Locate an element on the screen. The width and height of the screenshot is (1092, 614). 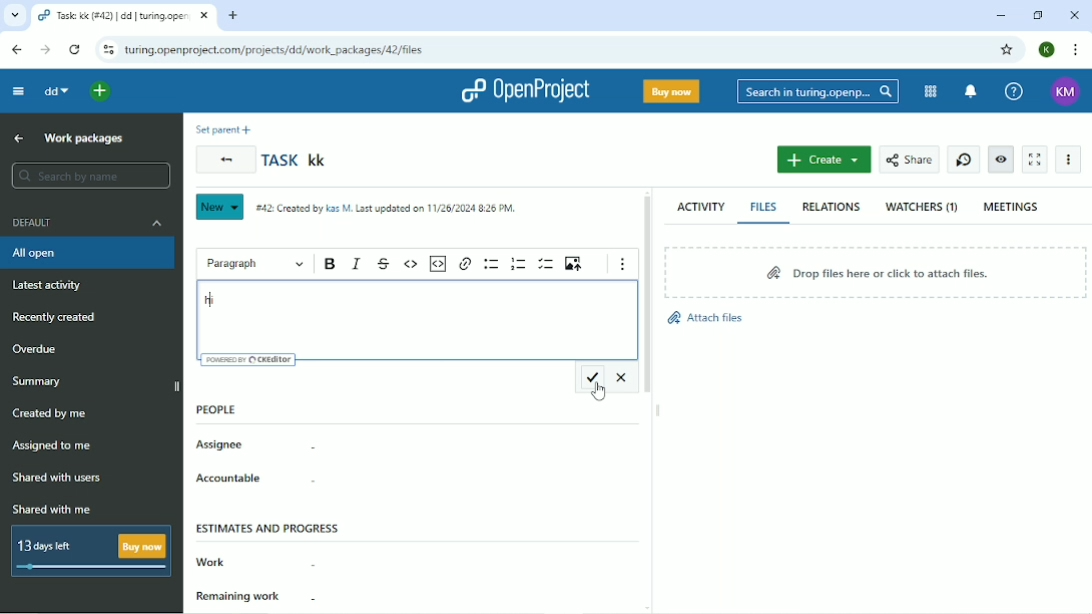
More is located at coordinates (1070, 159).